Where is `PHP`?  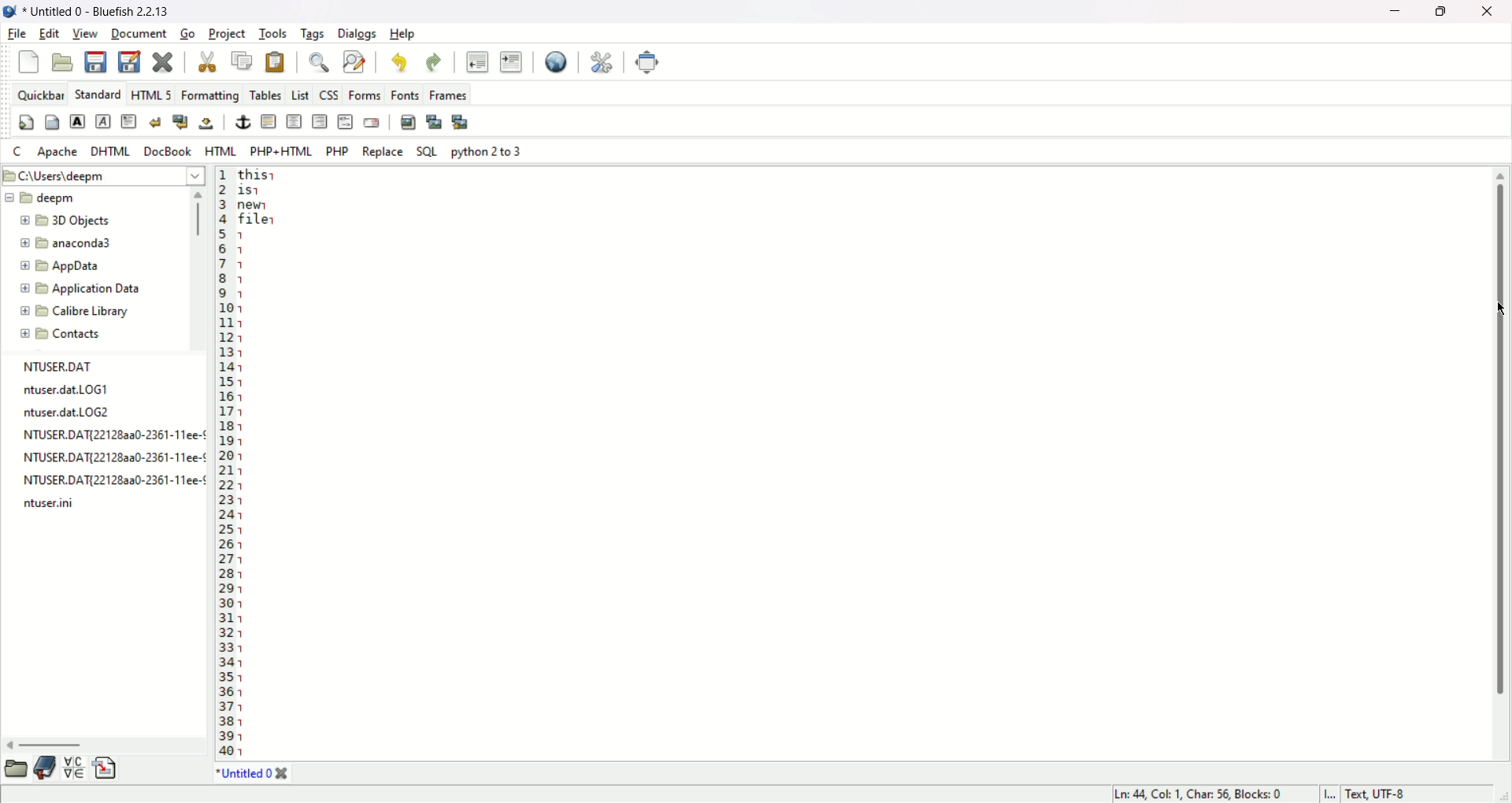
PHP is located at coordinates (340, 150).